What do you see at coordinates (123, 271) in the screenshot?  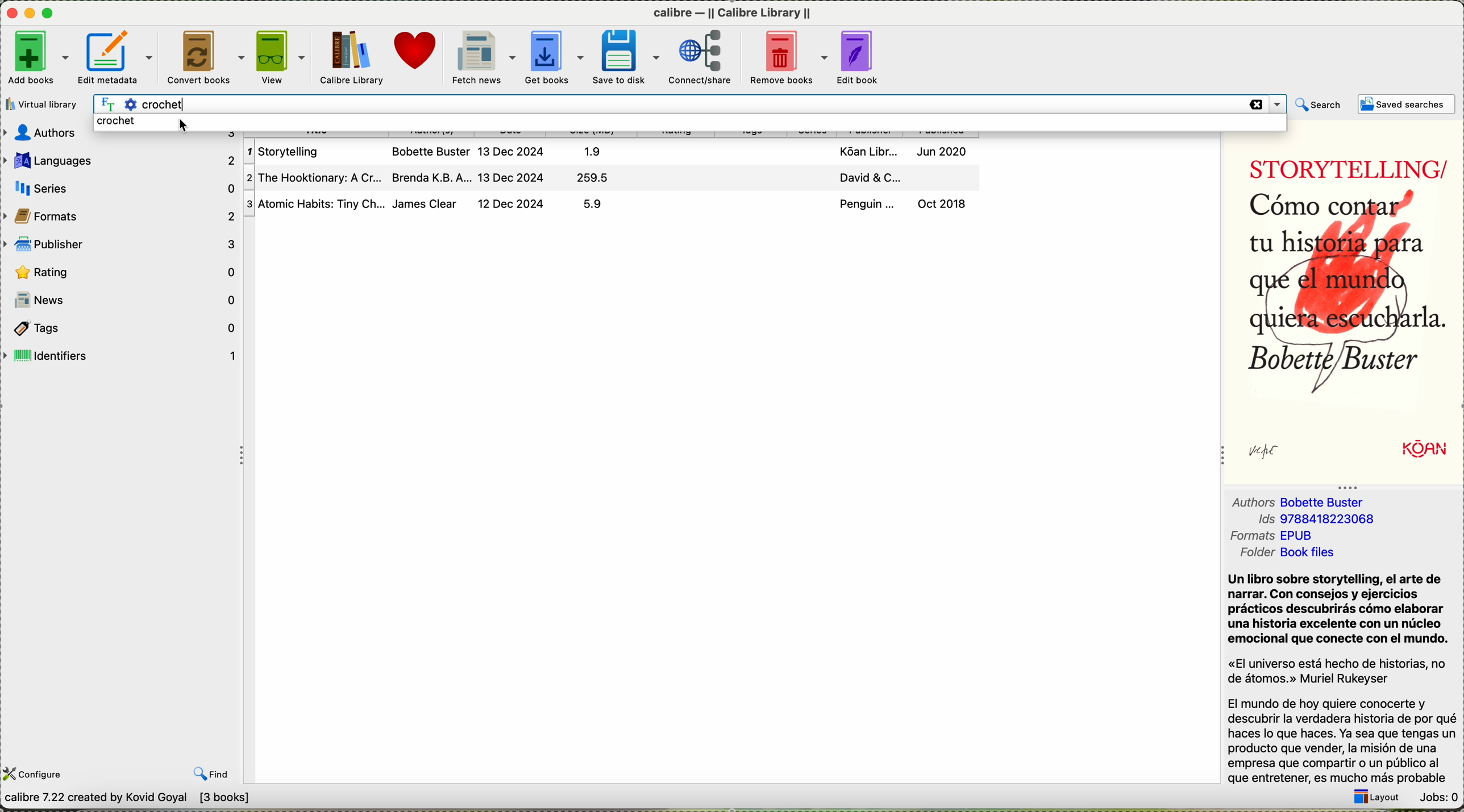 I see `rating` at bounding box center [123, 271].